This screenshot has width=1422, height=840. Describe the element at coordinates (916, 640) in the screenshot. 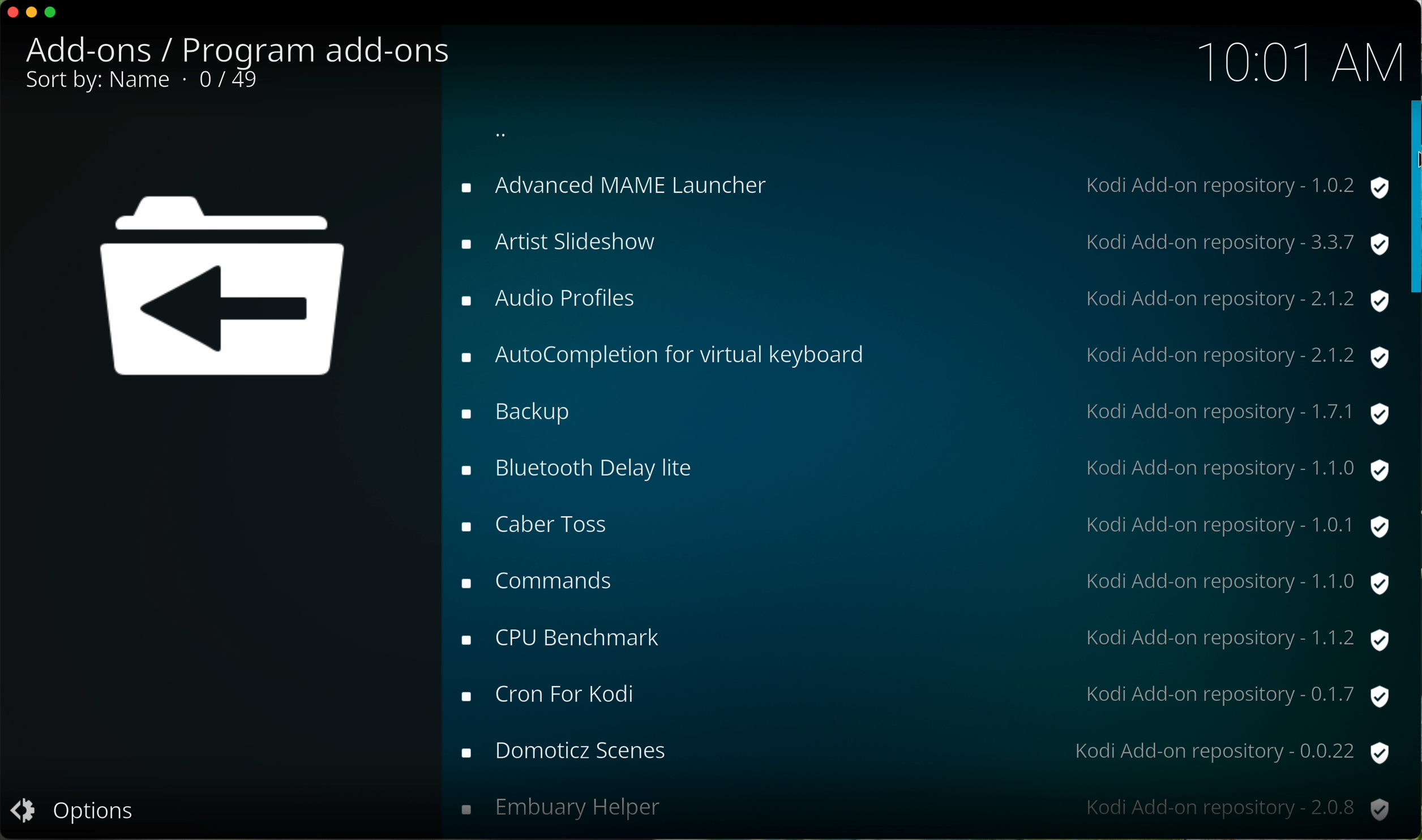

I see `CPU brenchmark` at that location.